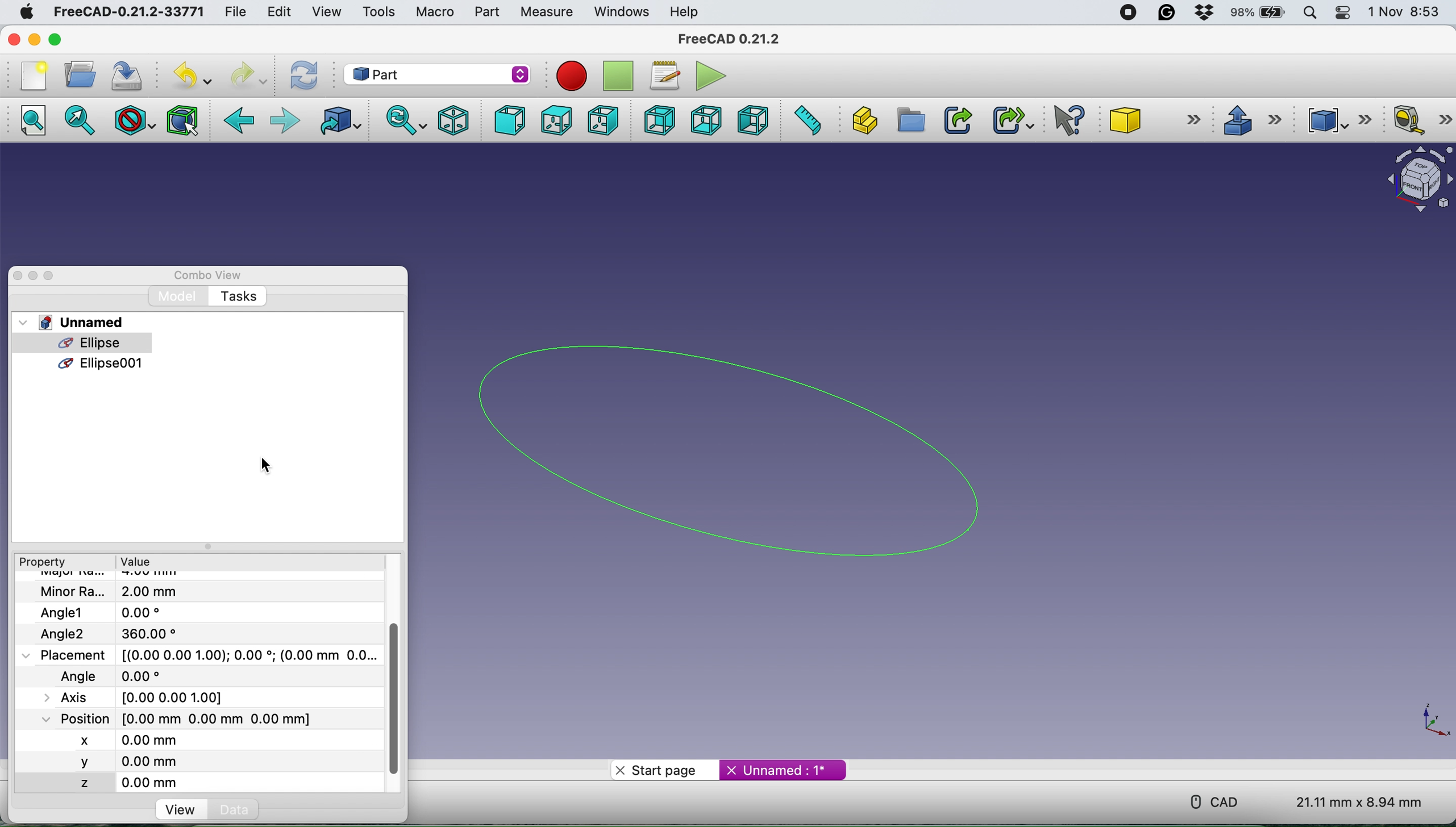 The image size is (1456, 827). Describe the element at coordinates (77, 322) in the screenshot. I see `unnamed` at that location.